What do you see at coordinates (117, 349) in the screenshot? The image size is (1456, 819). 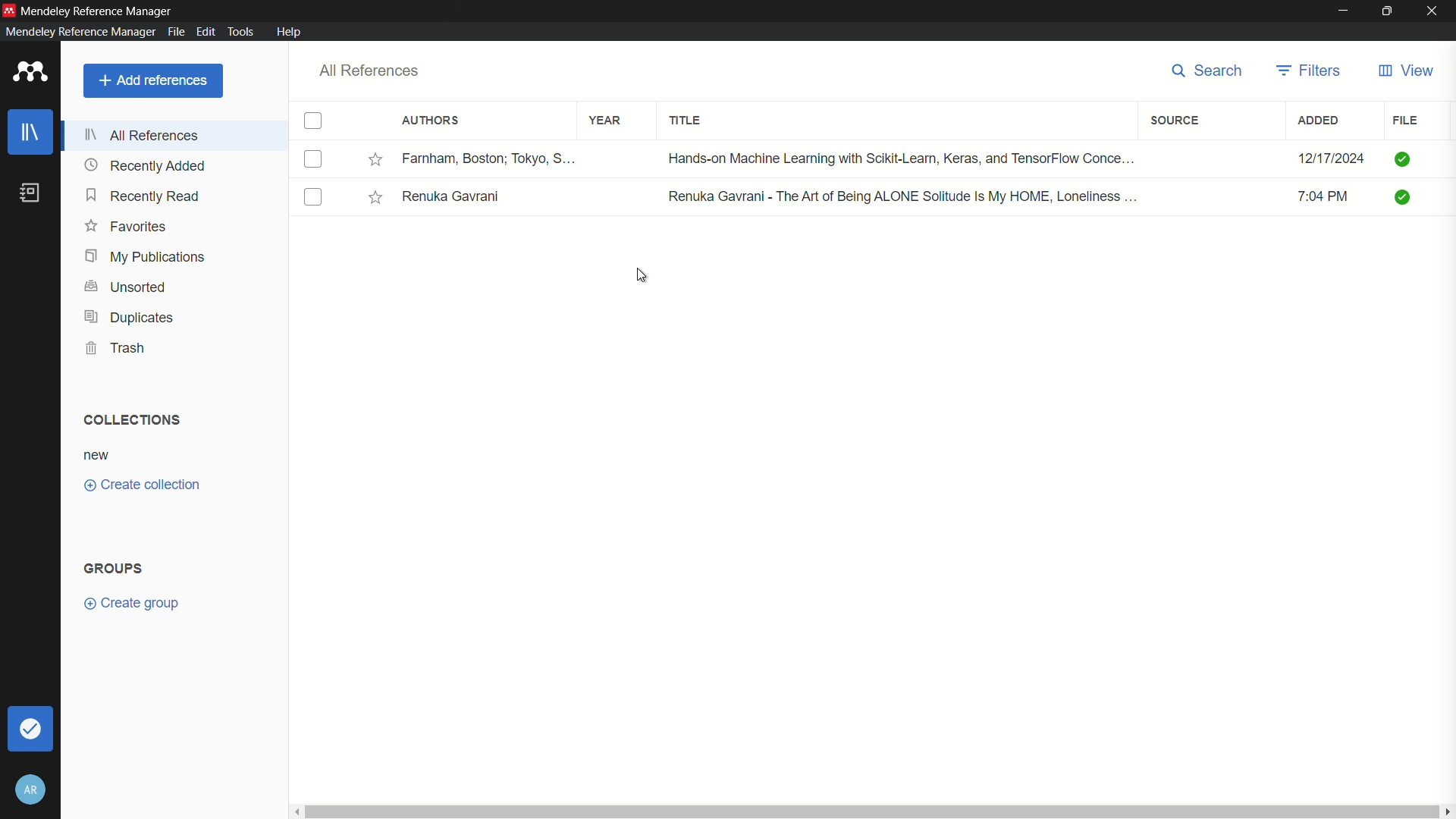 I see `trash` at bounding box center [117, 349].